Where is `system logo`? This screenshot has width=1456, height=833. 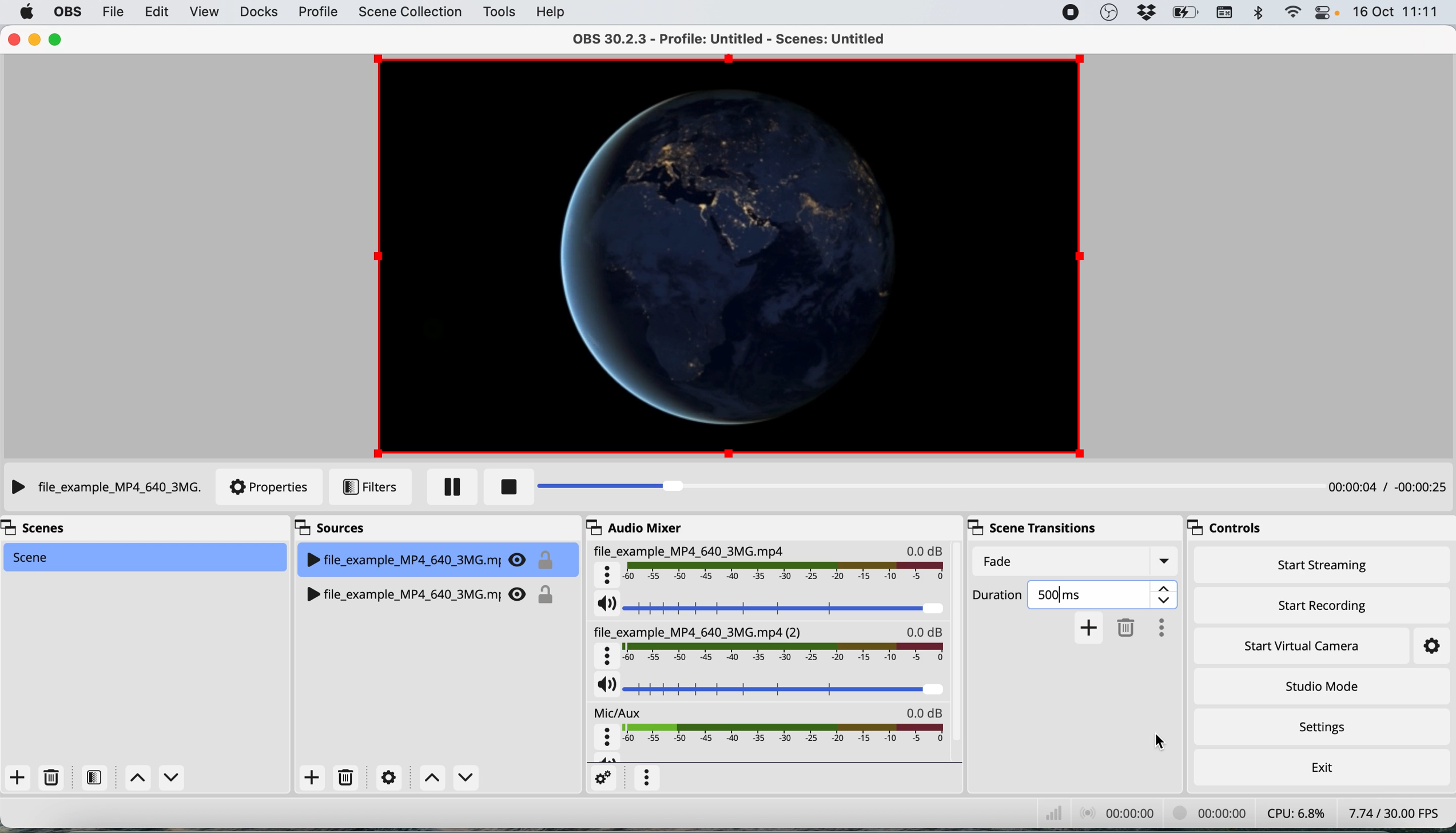 system logo is located at coordinates (26, 11).